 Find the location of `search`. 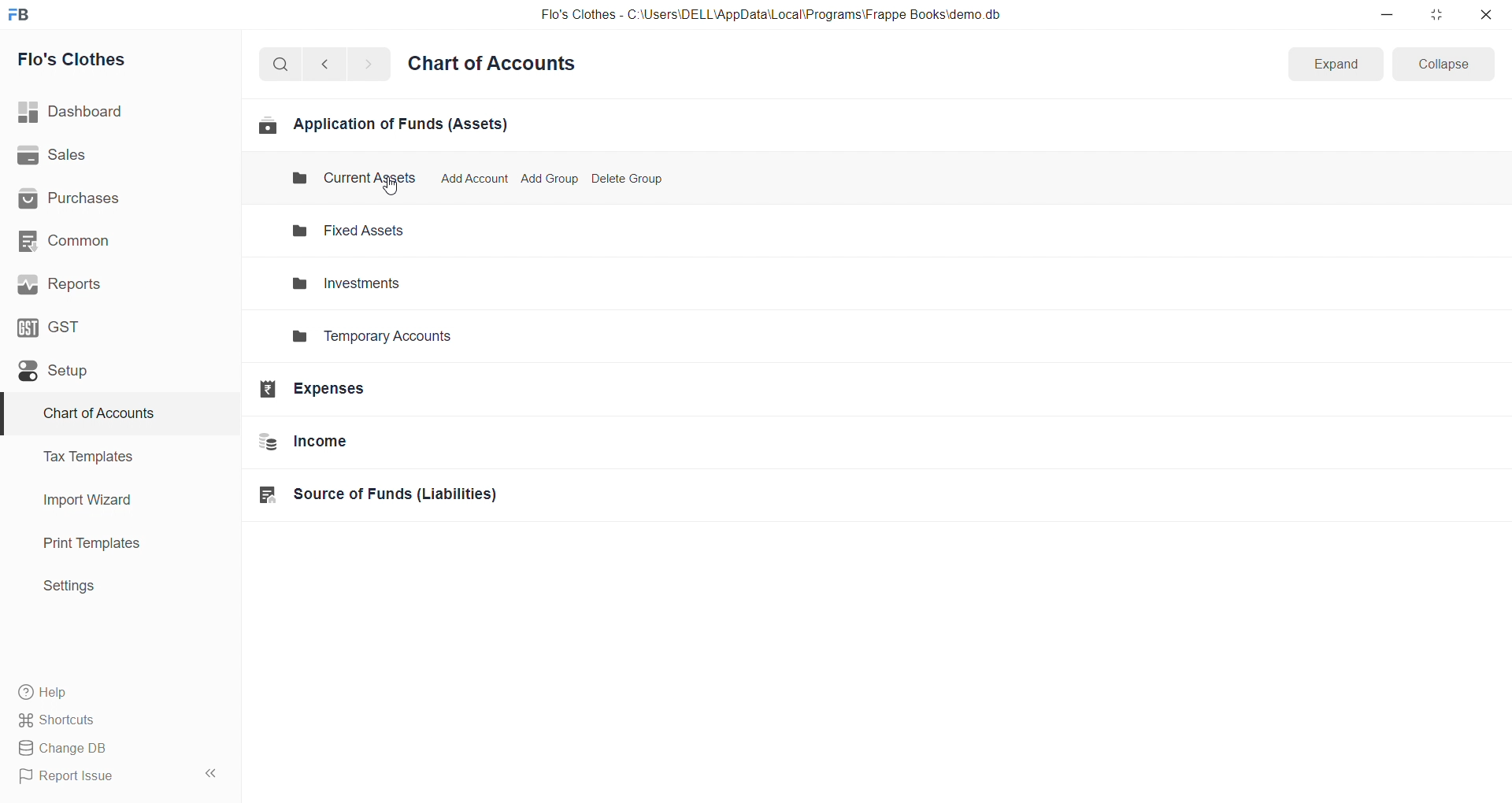

search is located at coordinates (283, 63).